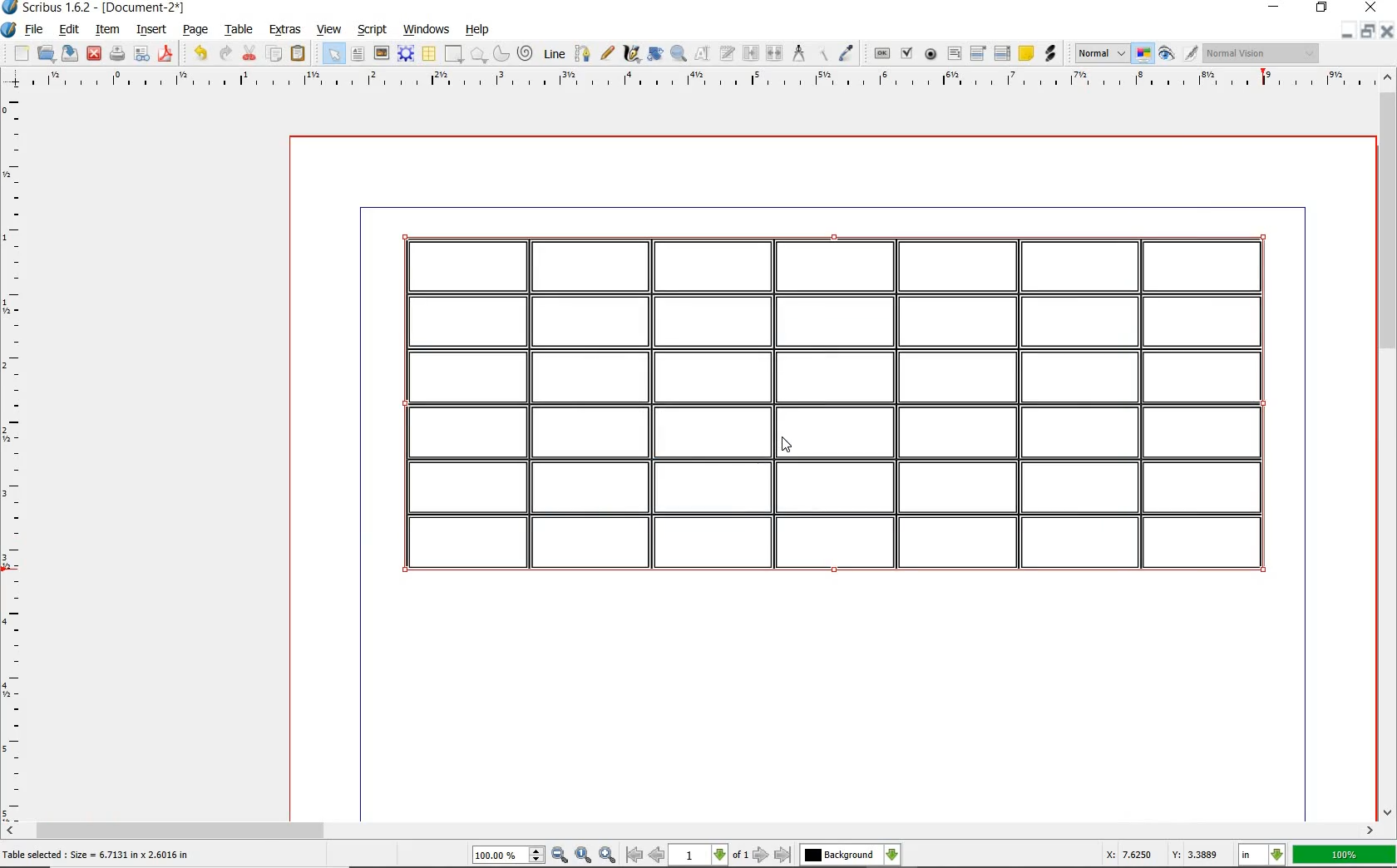 The image size is (1397, 868). Describe the element at coordinates (116, 53) in the screenshot. I see `print` at that location.